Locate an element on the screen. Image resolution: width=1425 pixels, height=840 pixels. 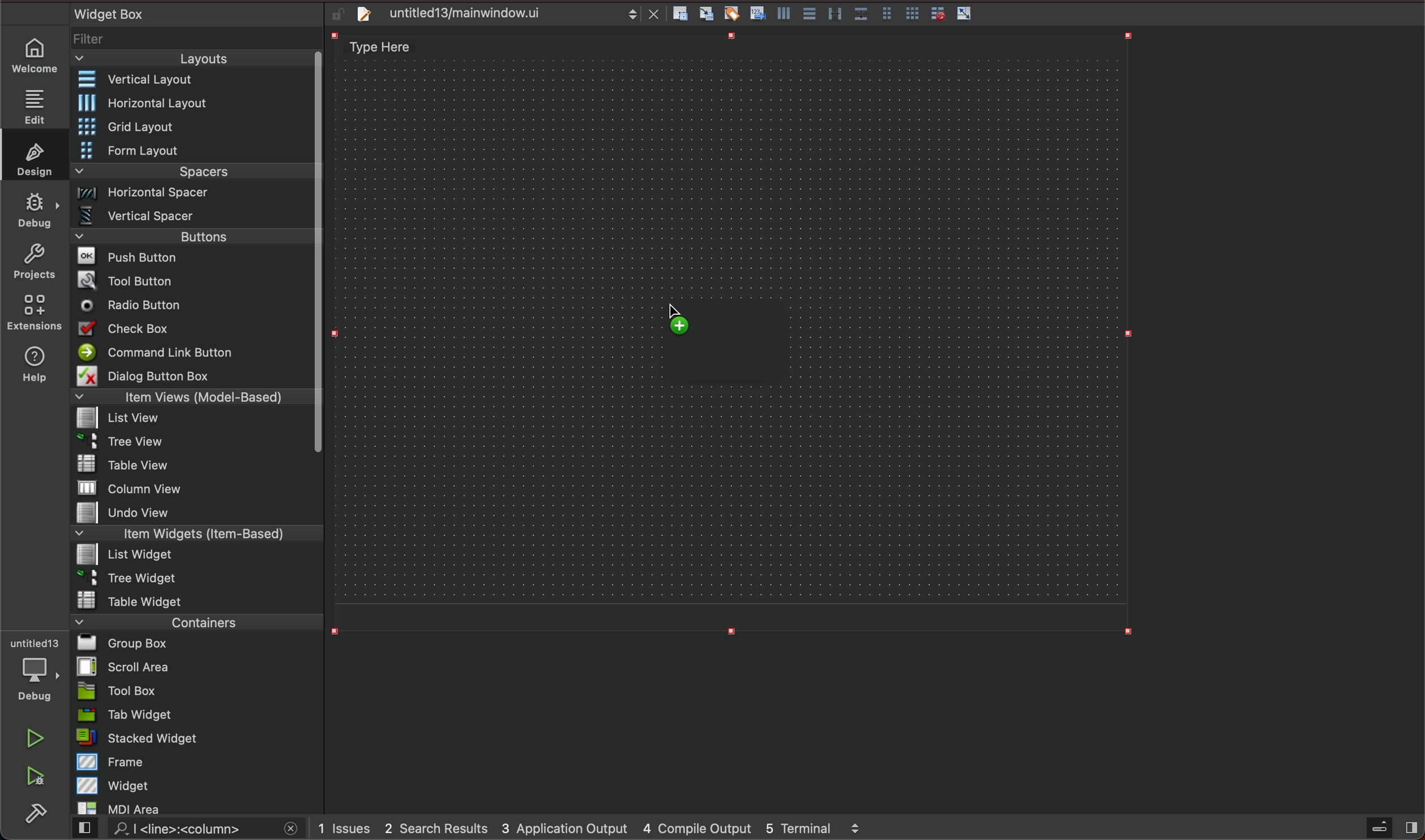
scroll area is located at coordinates (195, 666).